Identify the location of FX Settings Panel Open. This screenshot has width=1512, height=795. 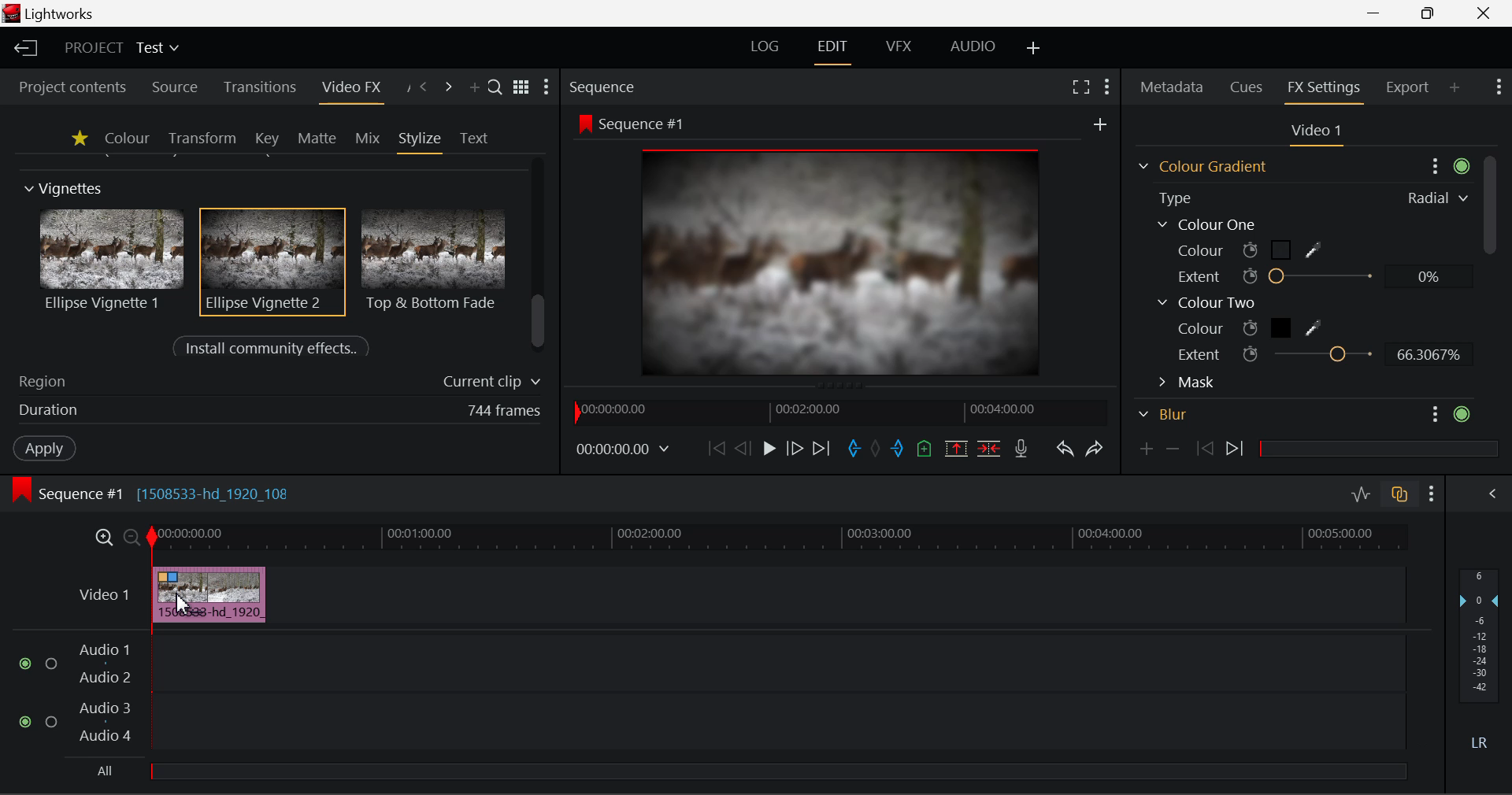
(1321, 90).